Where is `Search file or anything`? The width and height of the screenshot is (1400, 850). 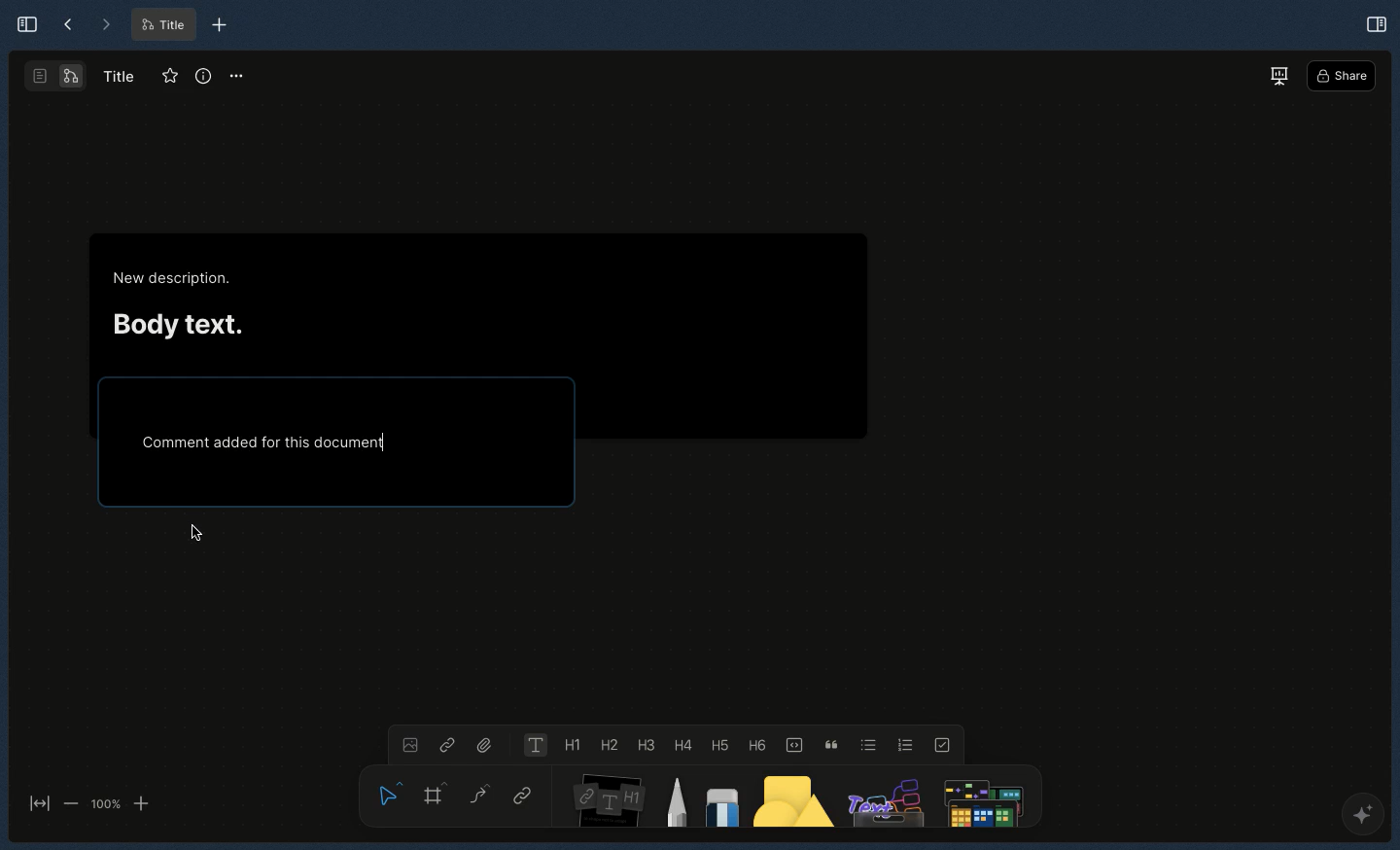 Search file or anything is located at coordinates (980, 797).